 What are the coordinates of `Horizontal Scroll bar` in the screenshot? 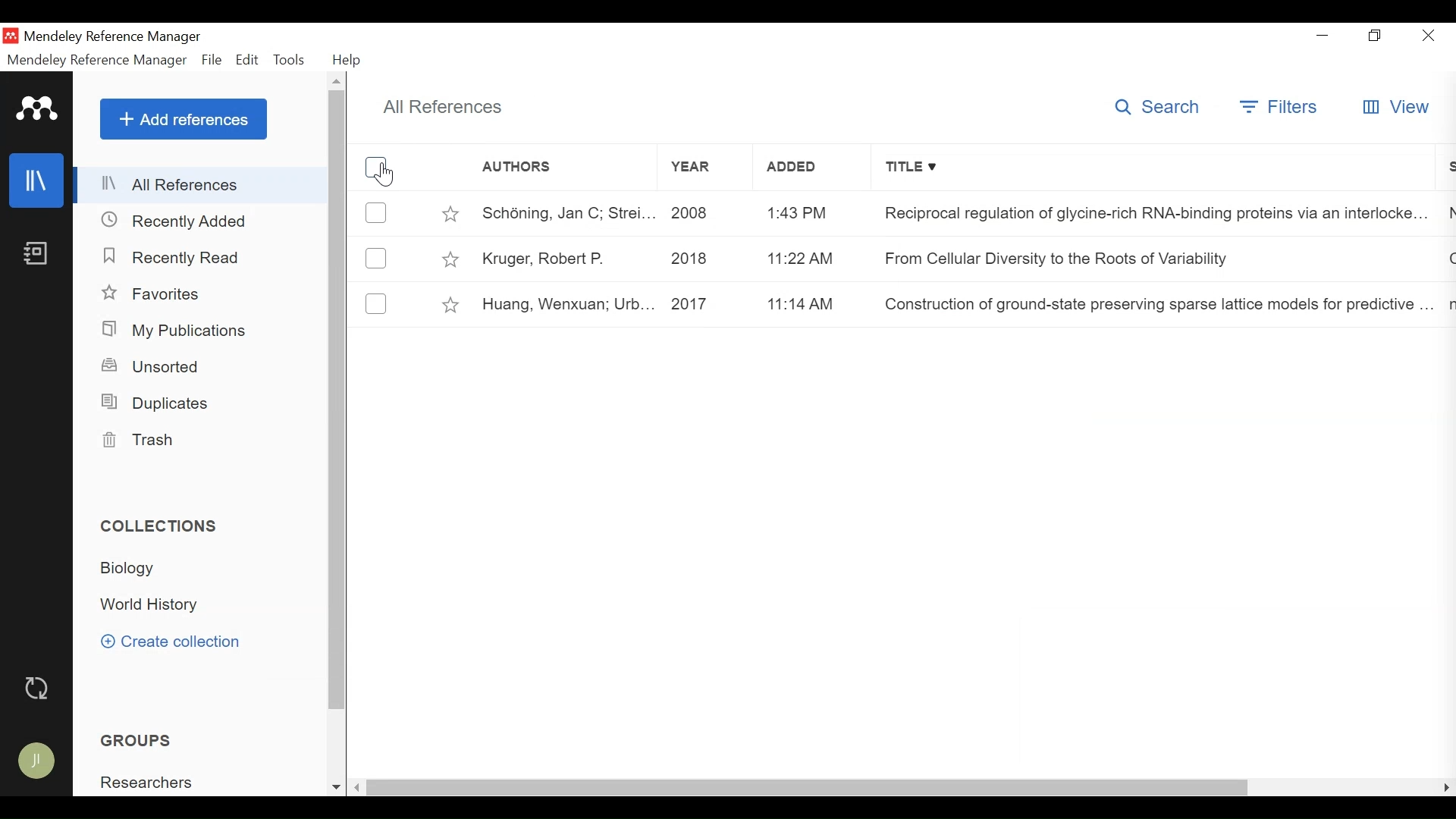 It's located at (811, 789).